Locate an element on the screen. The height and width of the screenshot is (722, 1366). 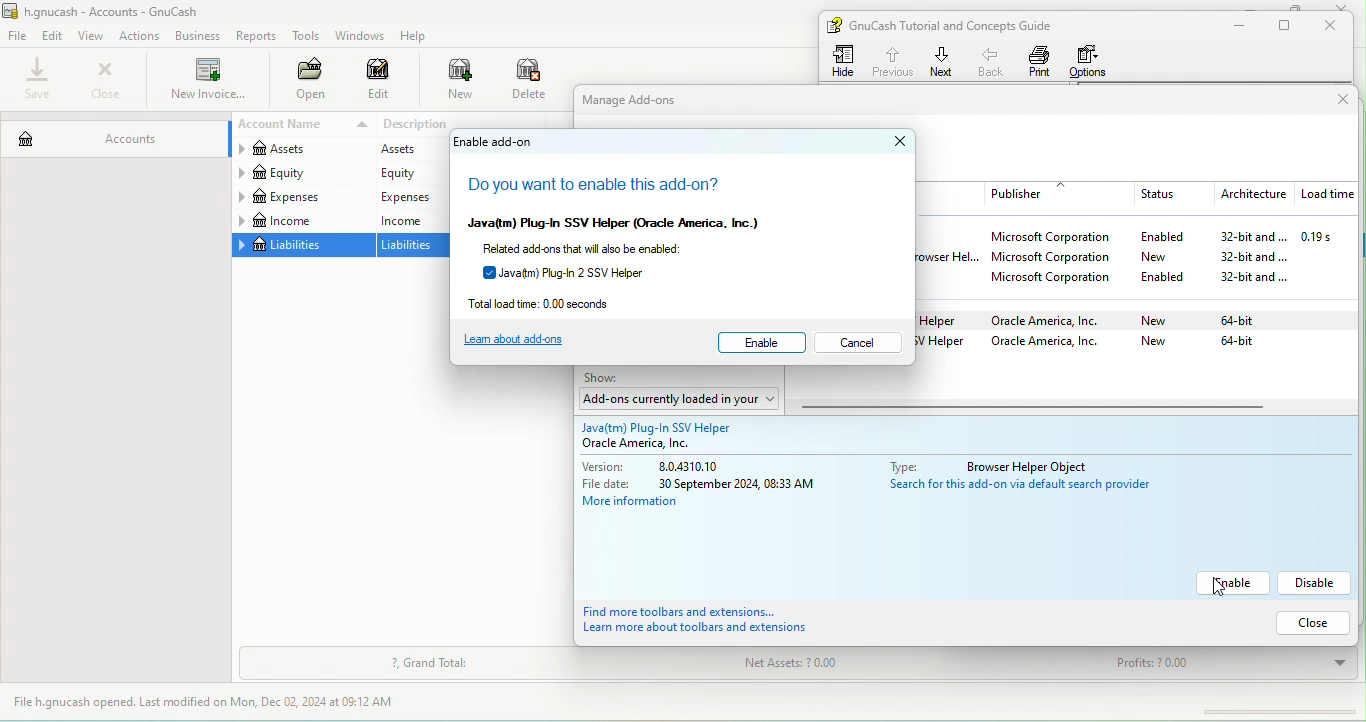
income is located at coordinates (413, 220).